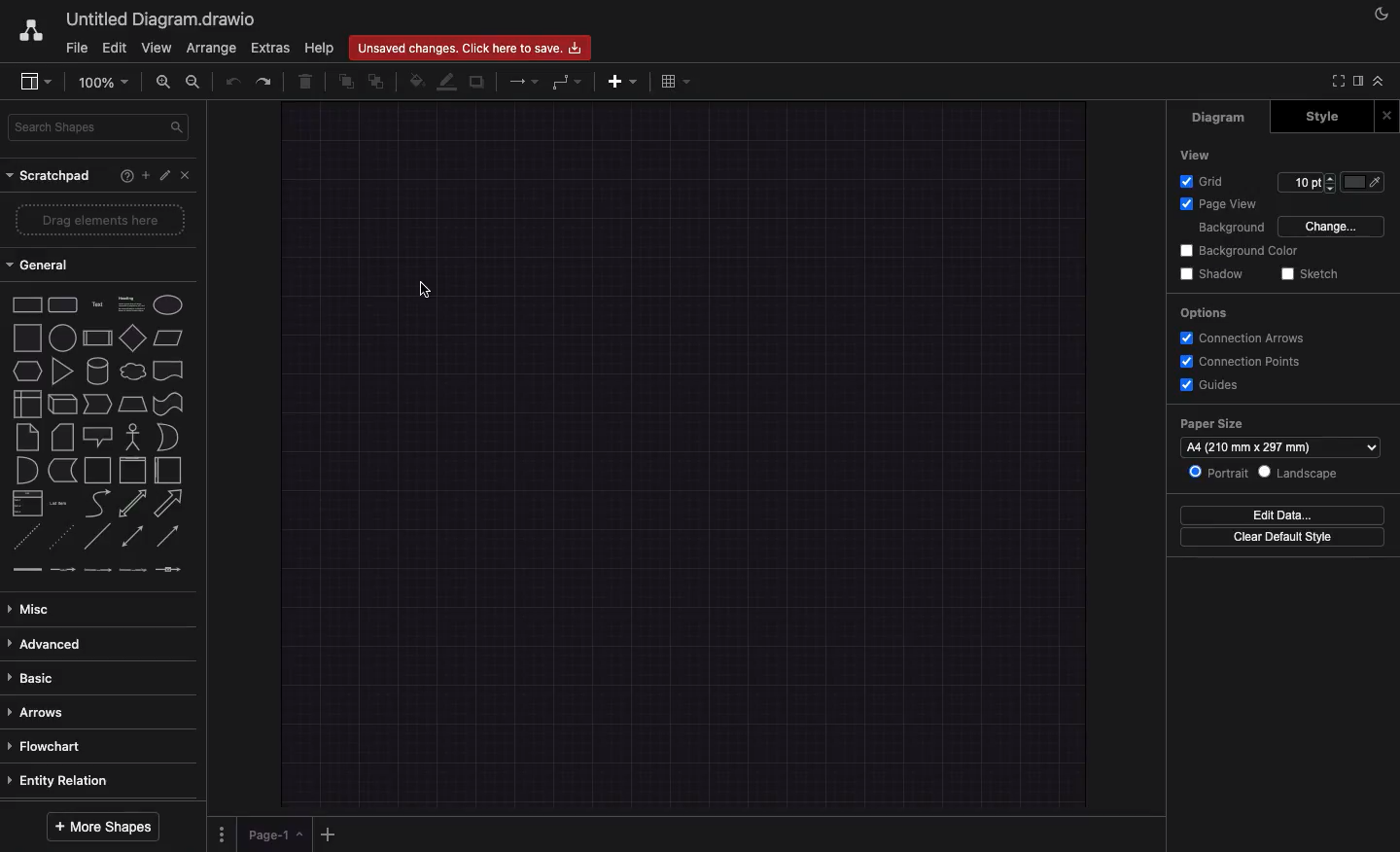  I want to click on cylinder, so click(99, 372).